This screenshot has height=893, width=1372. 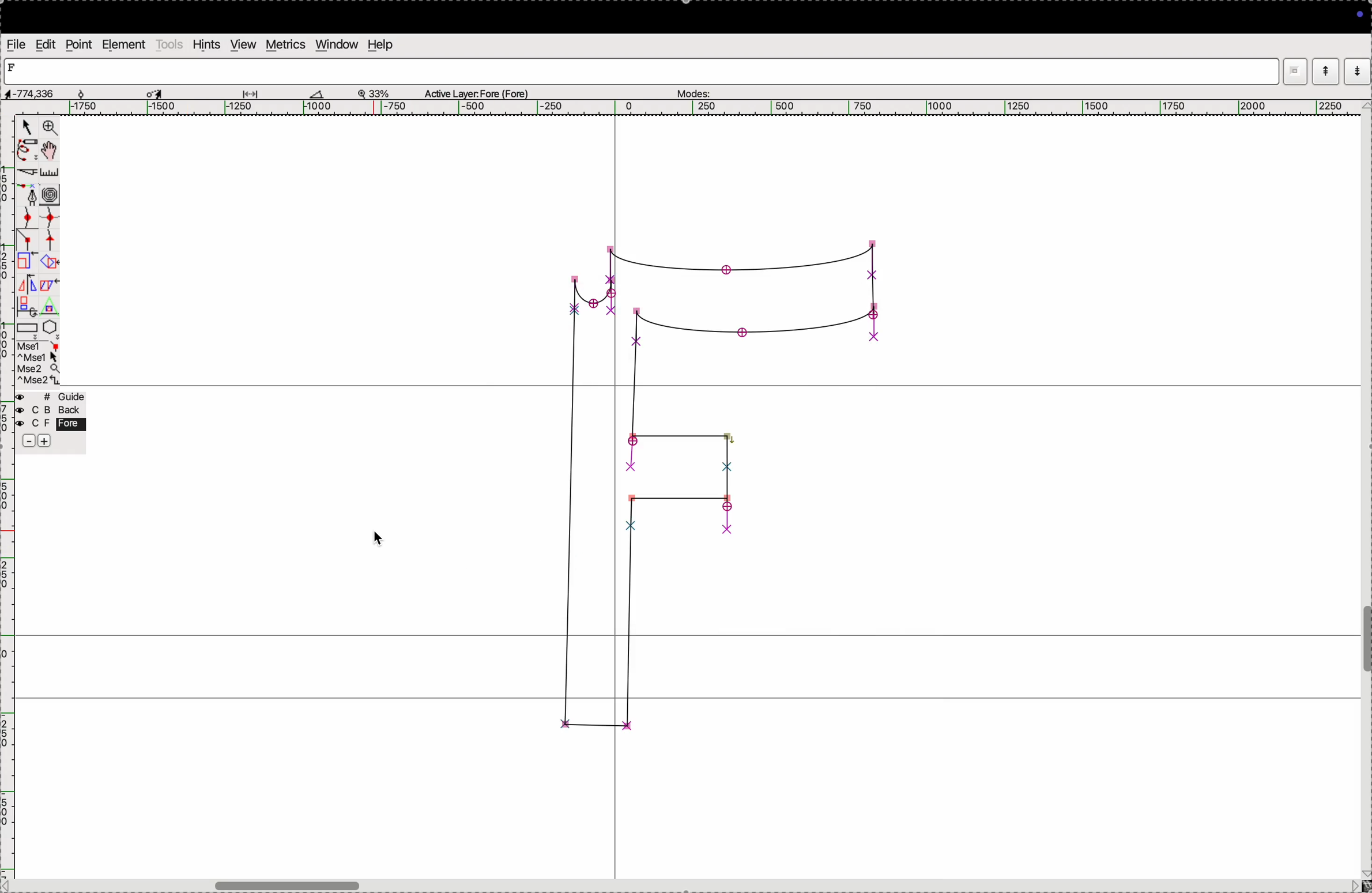 What do you see at coordinates (51, 262) in the screenshot?
I see `overlap` at bounding box center [51, 262].